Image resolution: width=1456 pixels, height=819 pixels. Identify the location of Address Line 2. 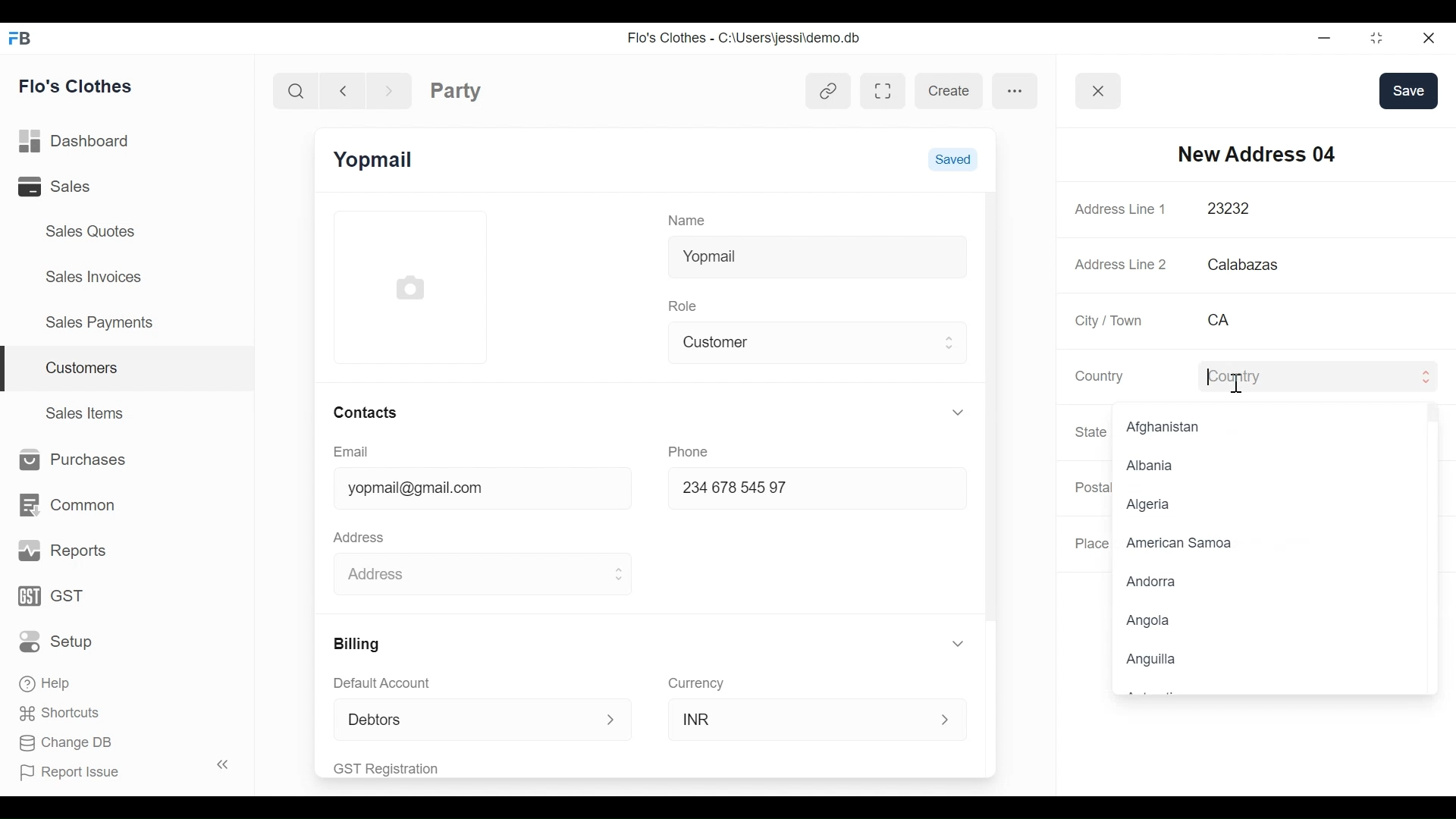
(1122, 260).